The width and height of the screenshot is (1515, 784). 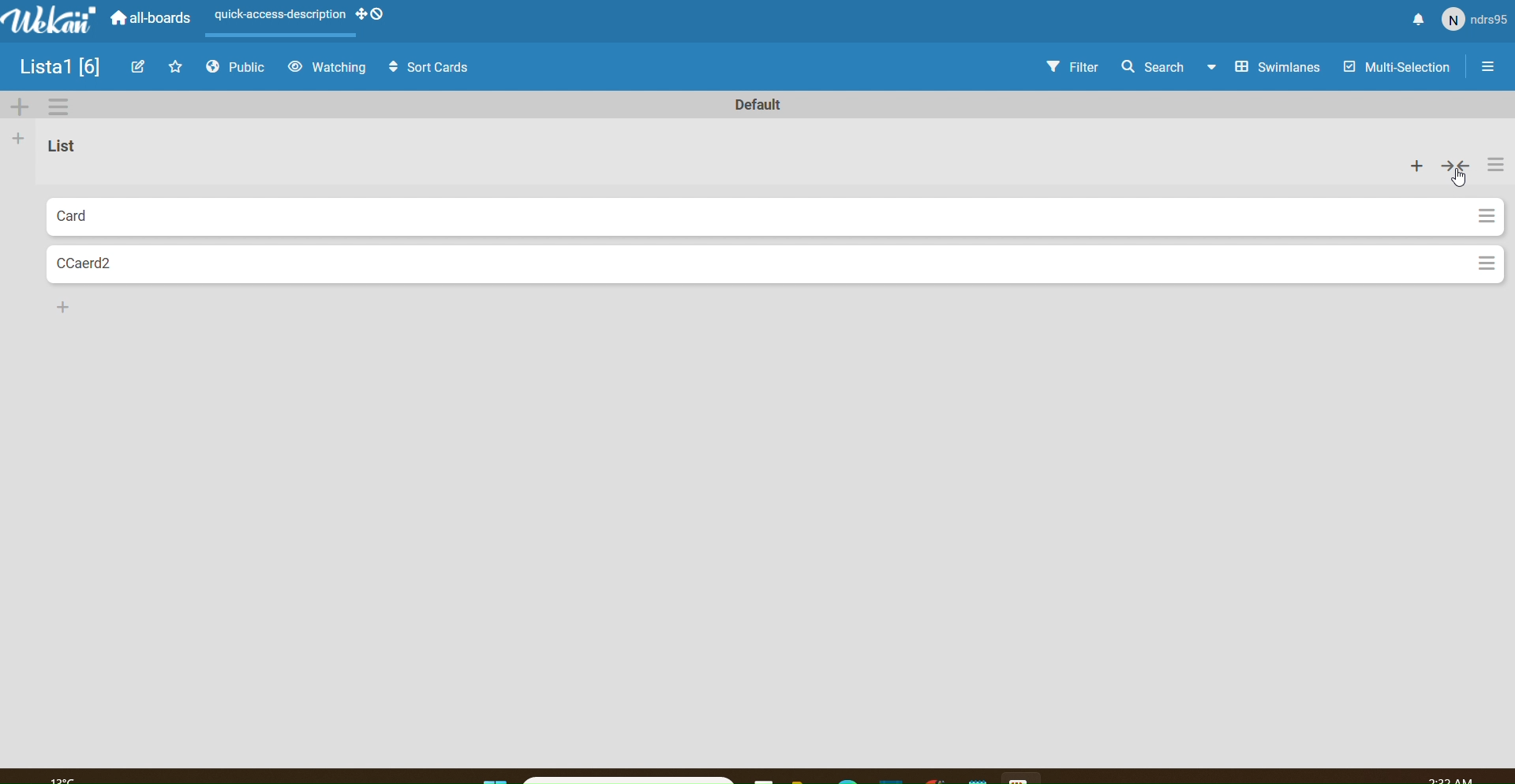 I want to click on Search, so click(x=1157, y=70).